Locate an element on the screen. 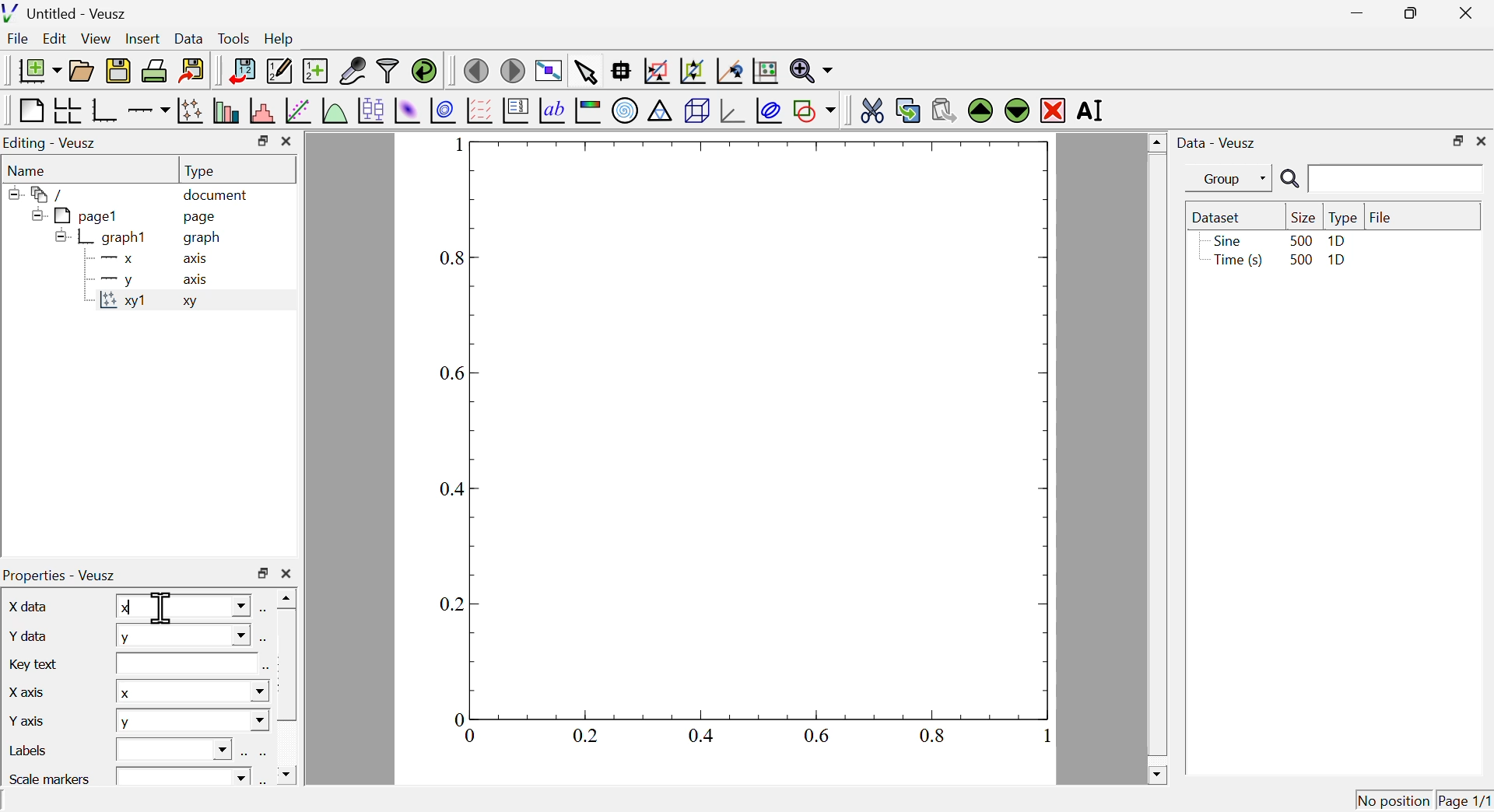  no position is located at coordinates (1394, 799).